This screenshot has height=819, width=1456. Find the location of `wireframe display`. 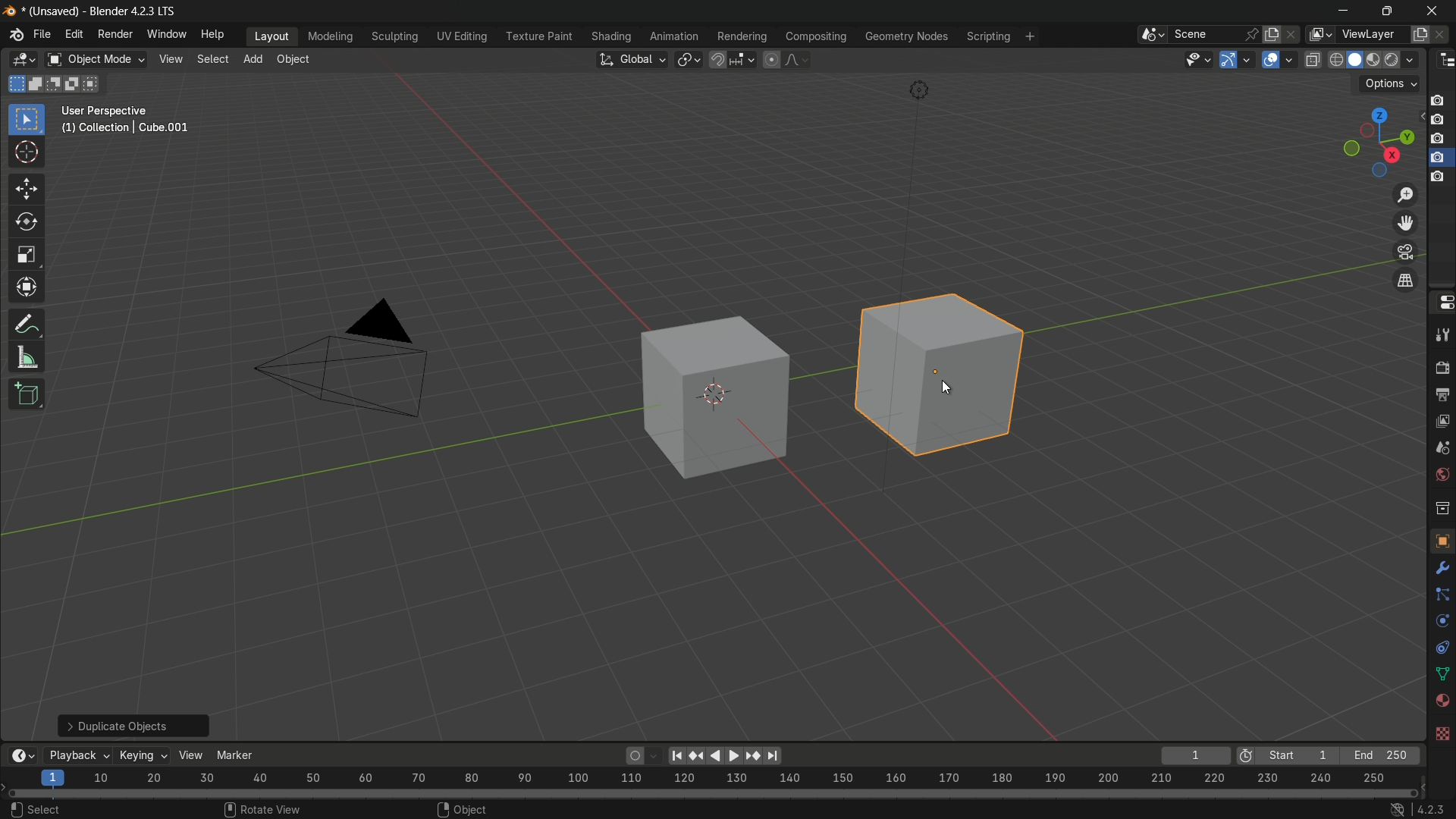

wireframe display is located at coordinates (1335, 60).